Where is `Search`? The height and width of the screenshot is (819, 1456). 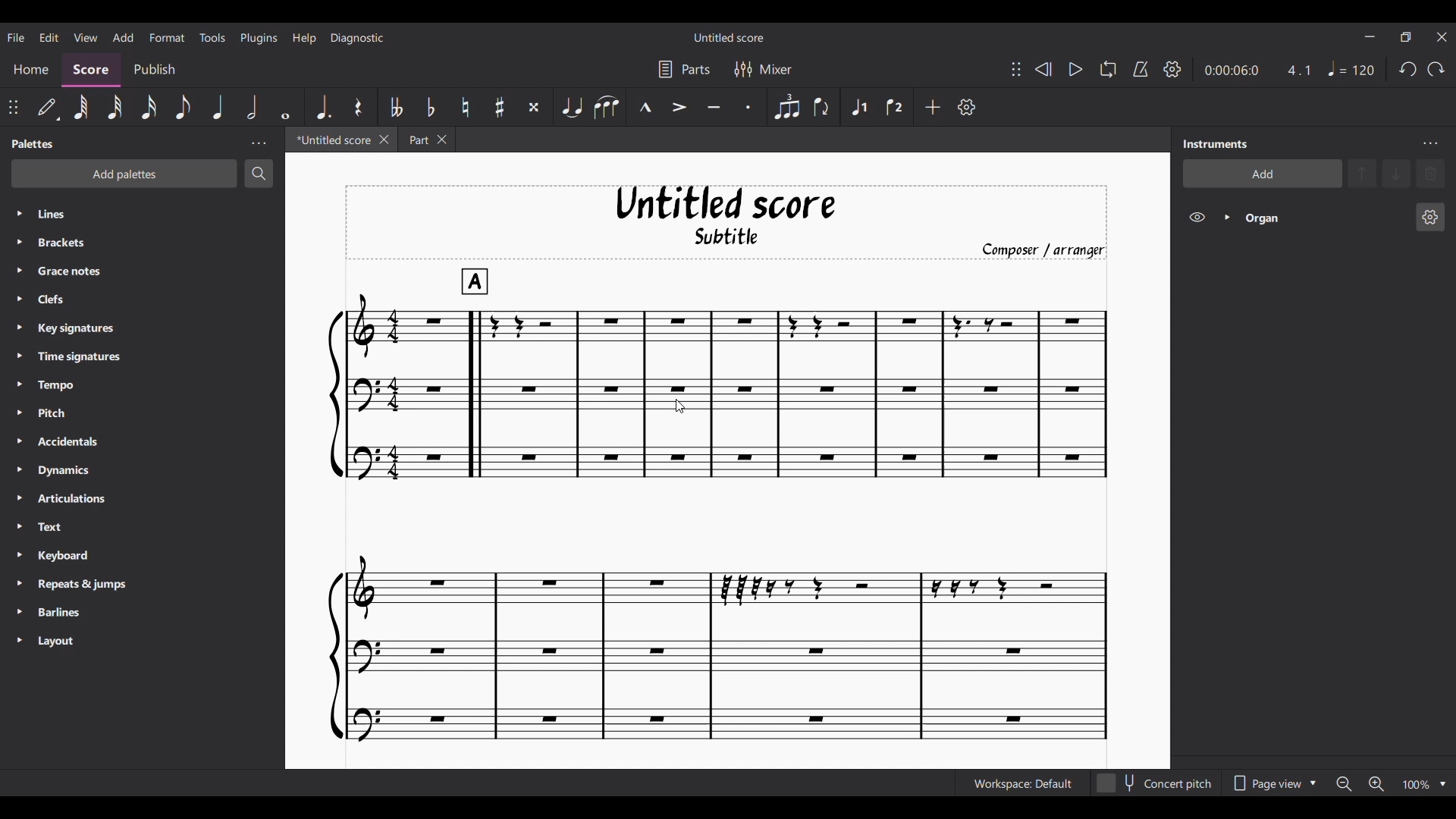
Search is located at coordinates (259, 174).